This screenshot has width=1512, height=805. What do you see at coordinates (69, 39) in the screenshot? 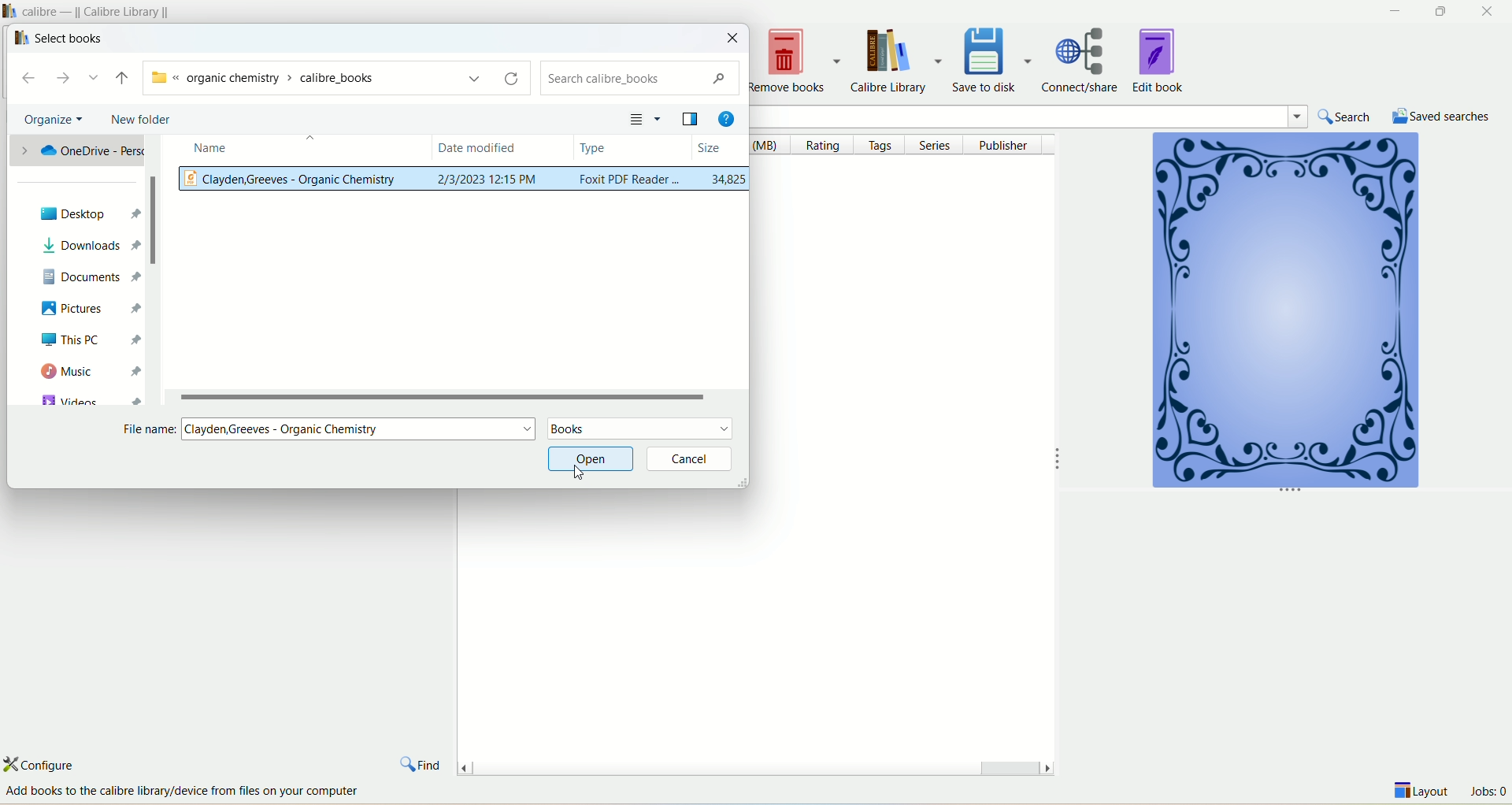
I see `select book` at bounding box center [69, 39].